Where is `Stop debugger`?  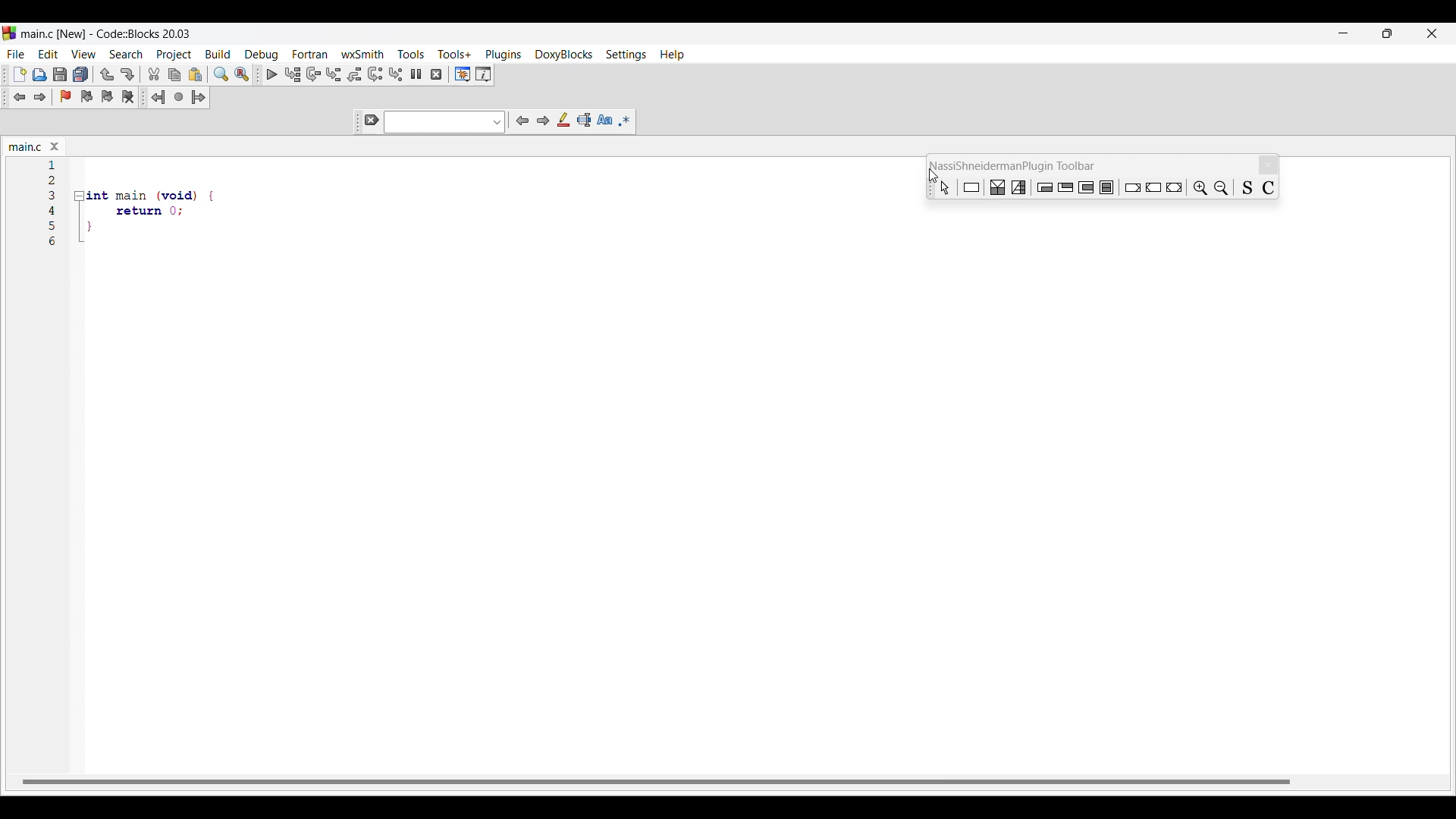
Stop debugger is located at coordinates (436, 74).